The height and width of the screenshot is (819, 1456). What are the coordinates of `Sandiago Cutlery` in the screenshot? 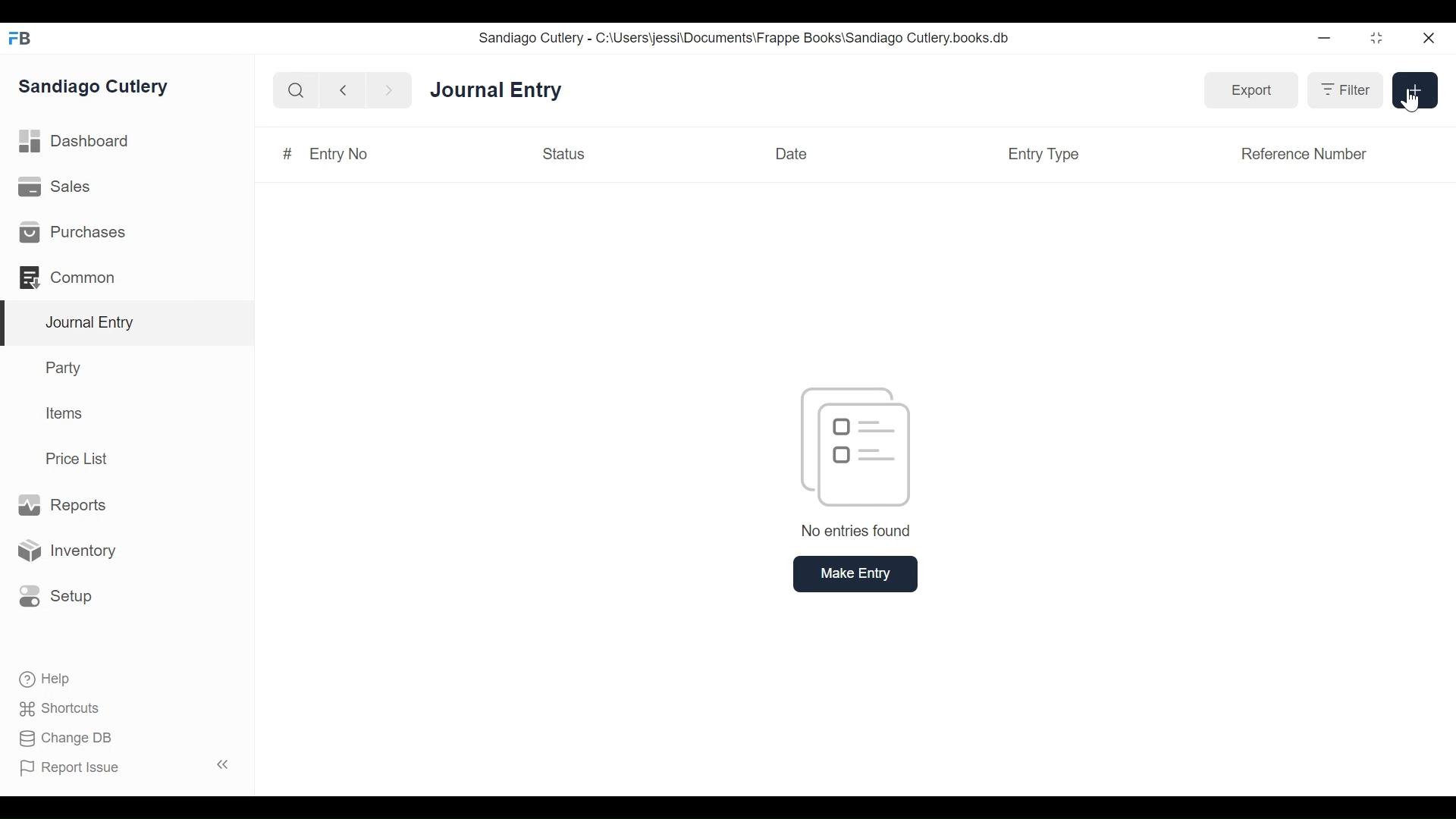 It's located at (96, 87).